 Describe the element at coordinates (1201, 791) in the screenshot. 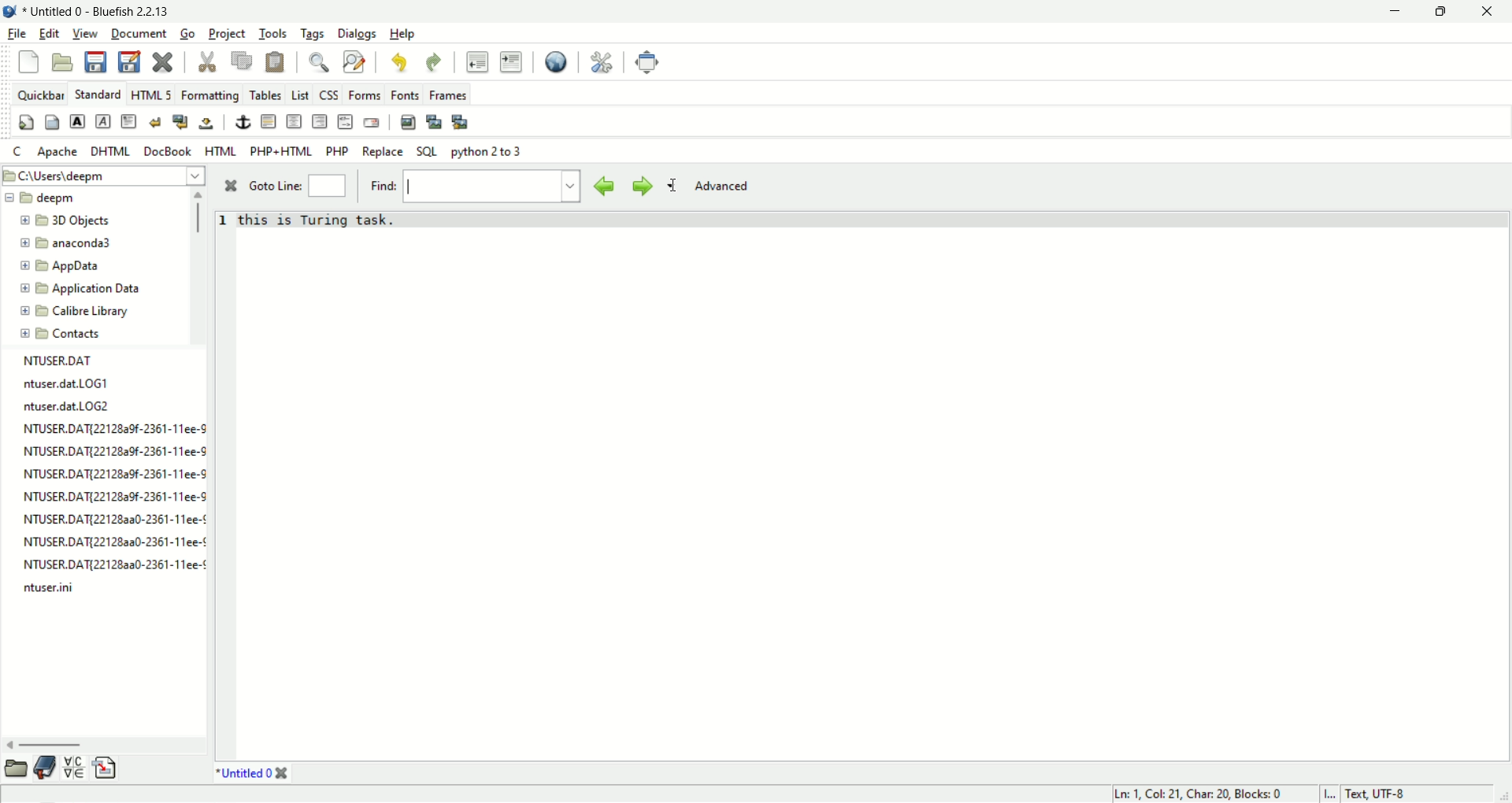

I see `Ln: 1, Col: 21, Char: 20, Blocks: 0` at that location.